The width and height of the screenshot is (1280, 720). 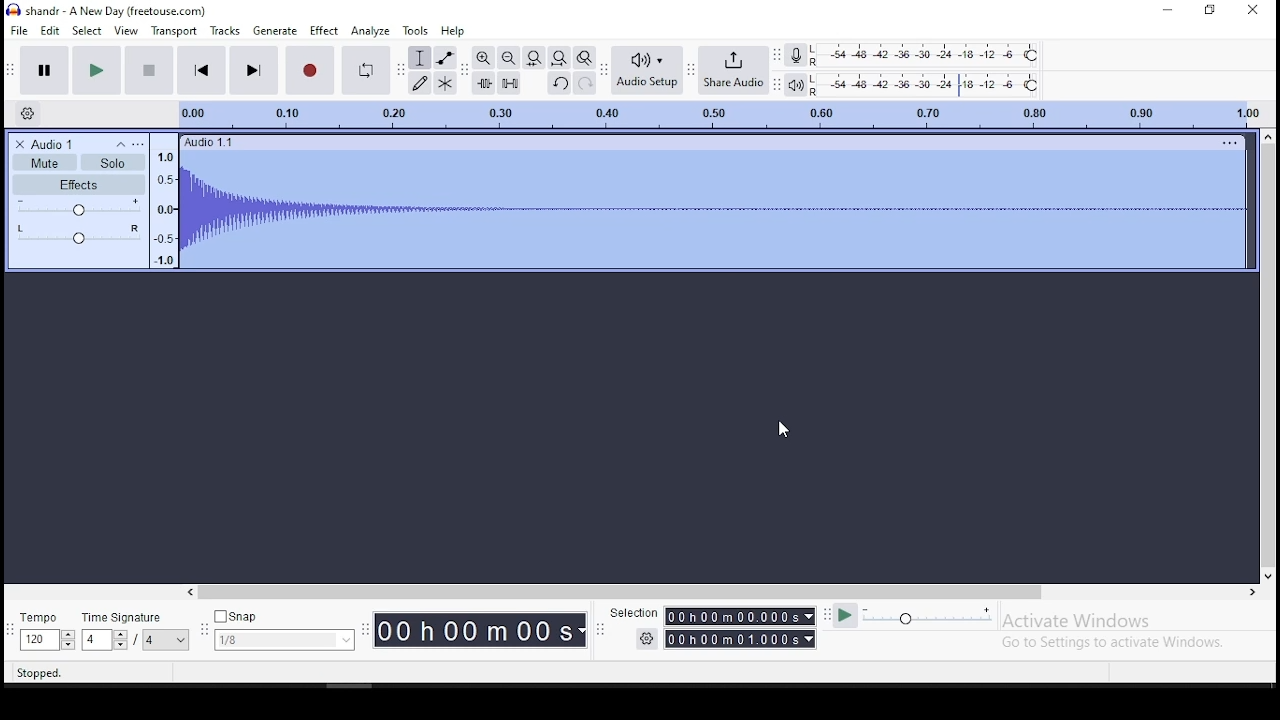 I want to click on stopped, so click(x=41, y=674).